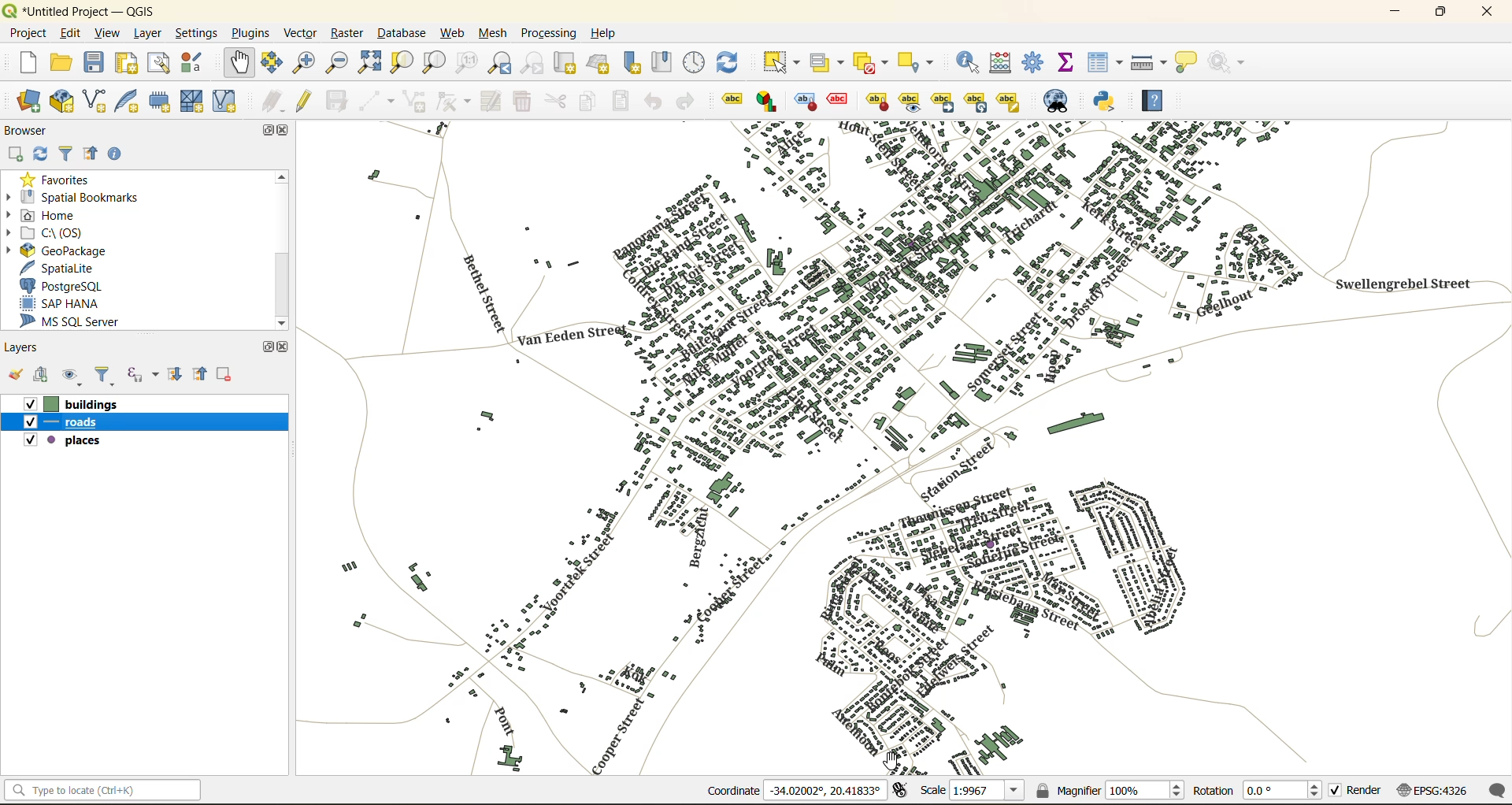 This screenshot has width=1512, height=805. What do you see at coordinates (28, 133) in the screenshot?
I see `browser` at bounding box center [28, 133].